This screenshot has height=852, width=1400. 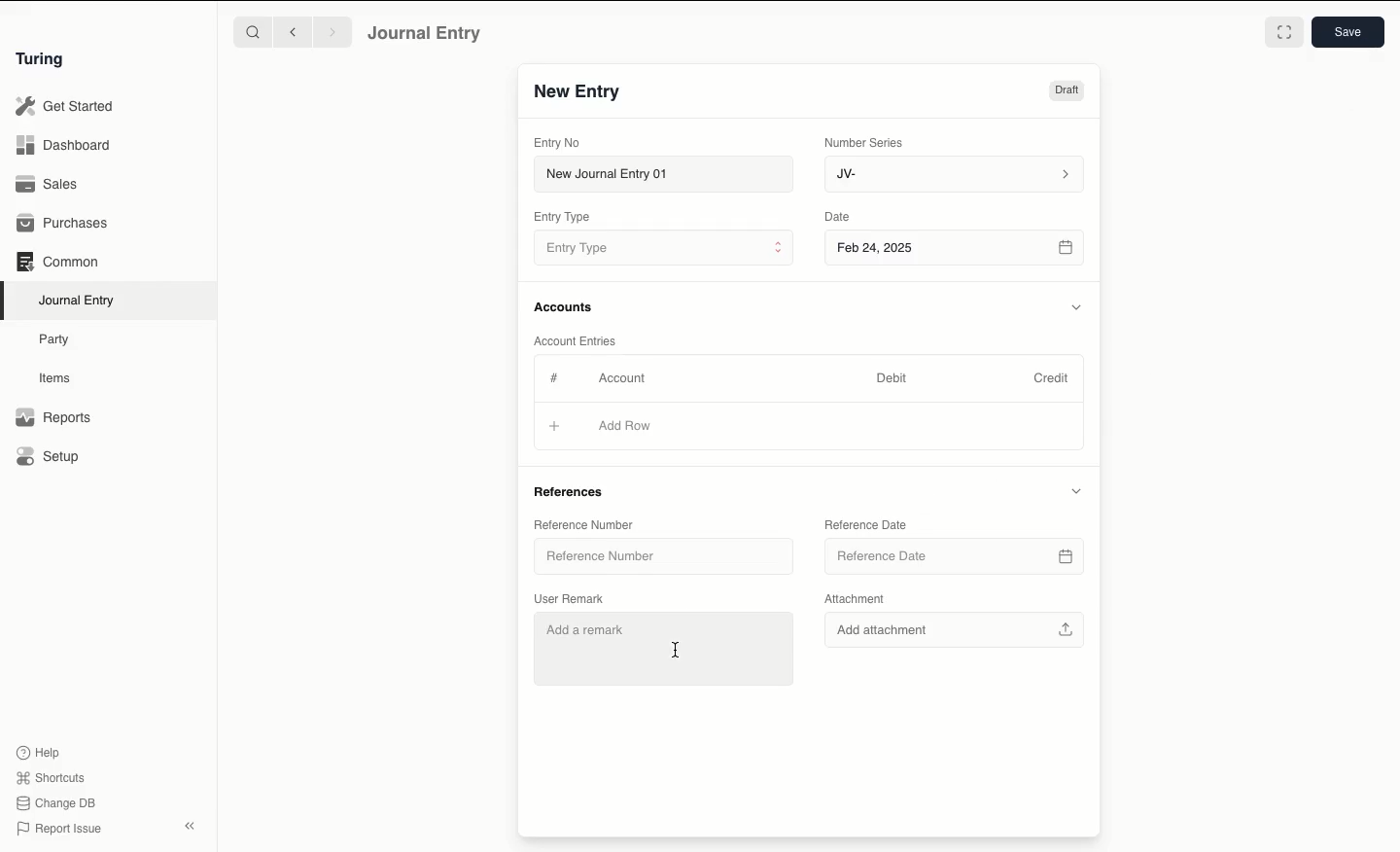 I want to click on Report Issue, so click(x=61, y=830).